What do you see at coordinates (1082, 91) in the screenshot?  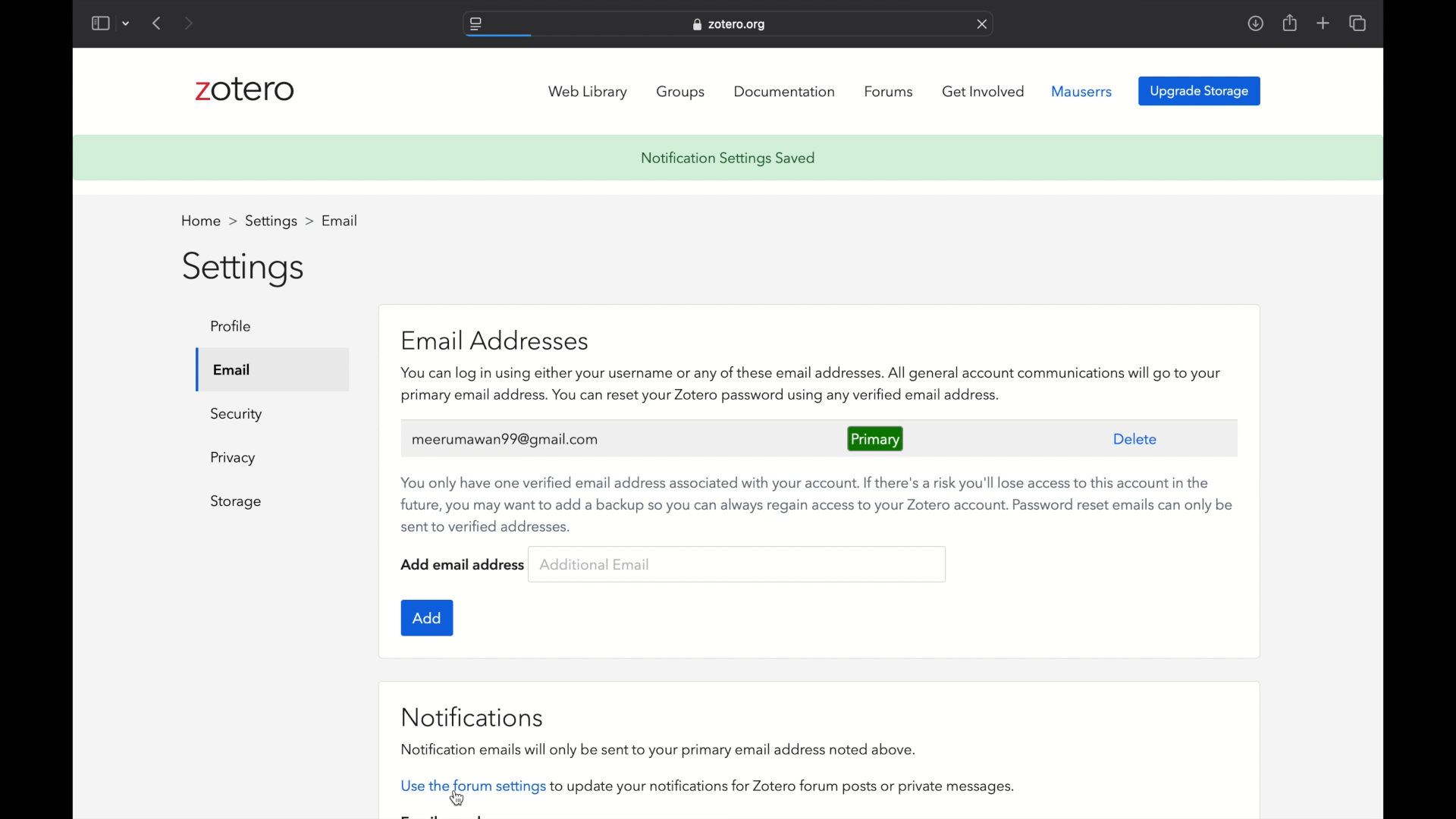 I see `mauserrs` at bounding box center [1082, 91].